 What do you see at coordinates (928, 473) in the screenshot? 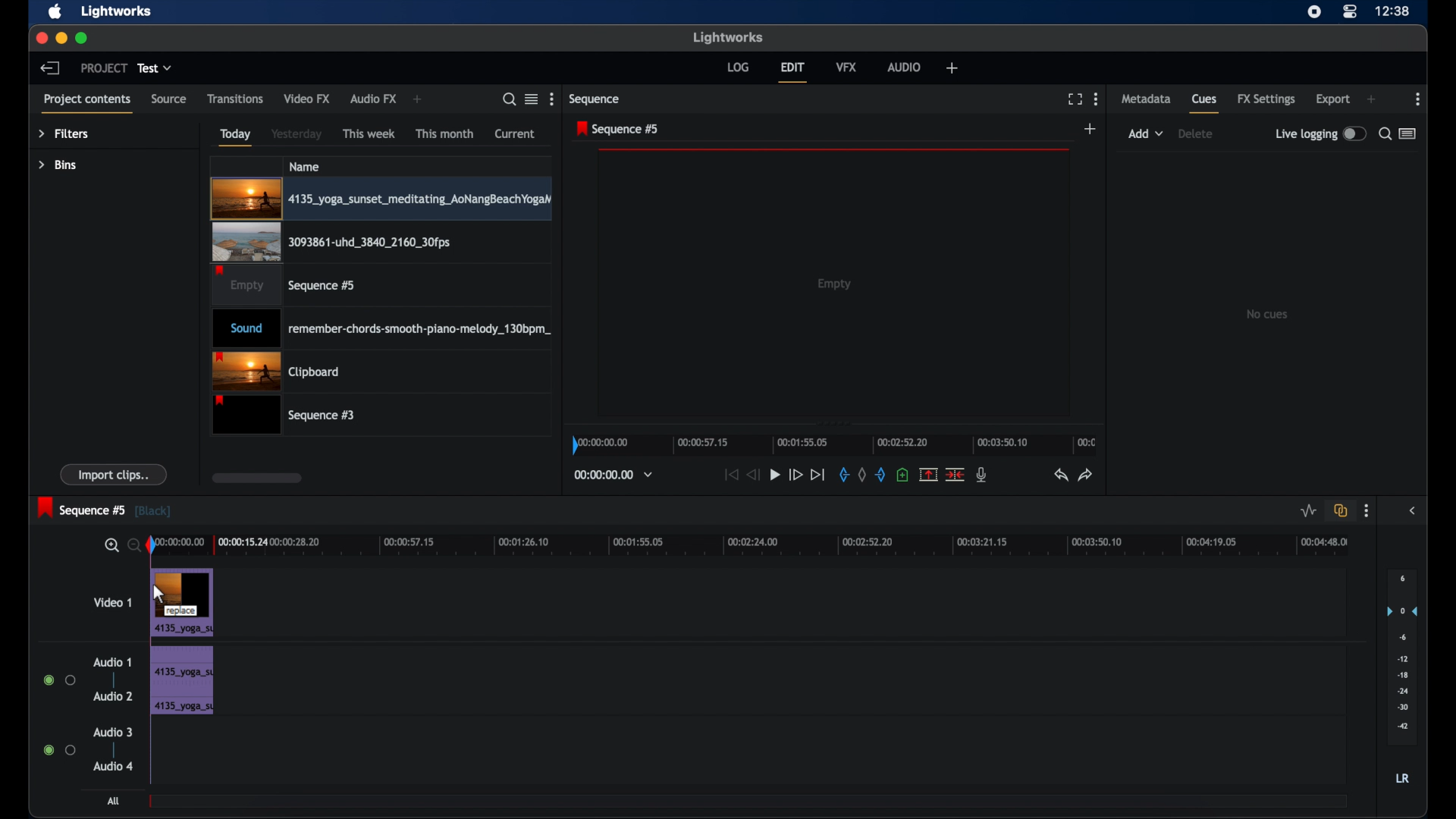
I see `` at bounding box center [928, 473].